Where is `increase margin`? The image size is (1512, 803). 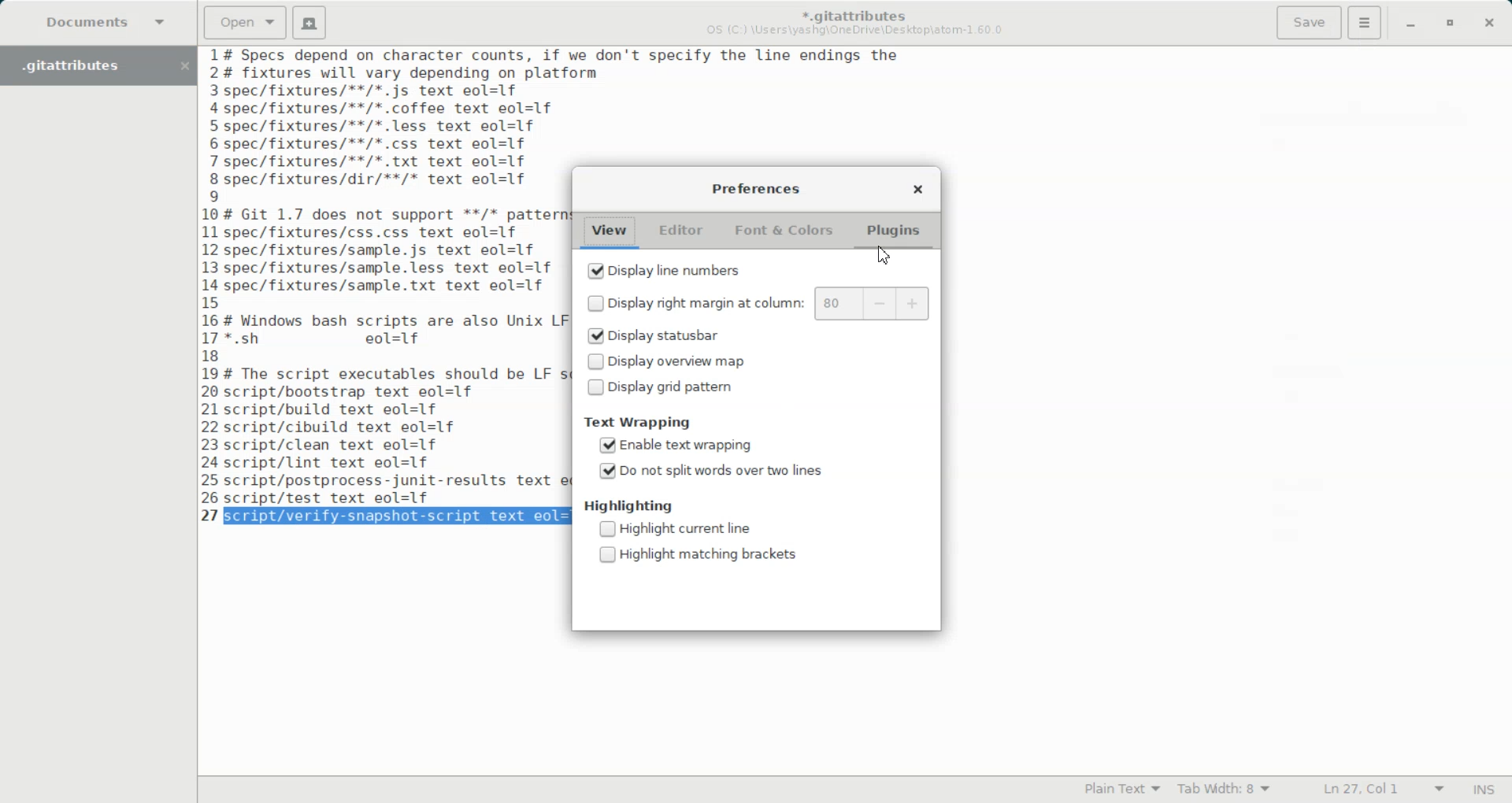 increase margin is located at coordinates (912, 303).